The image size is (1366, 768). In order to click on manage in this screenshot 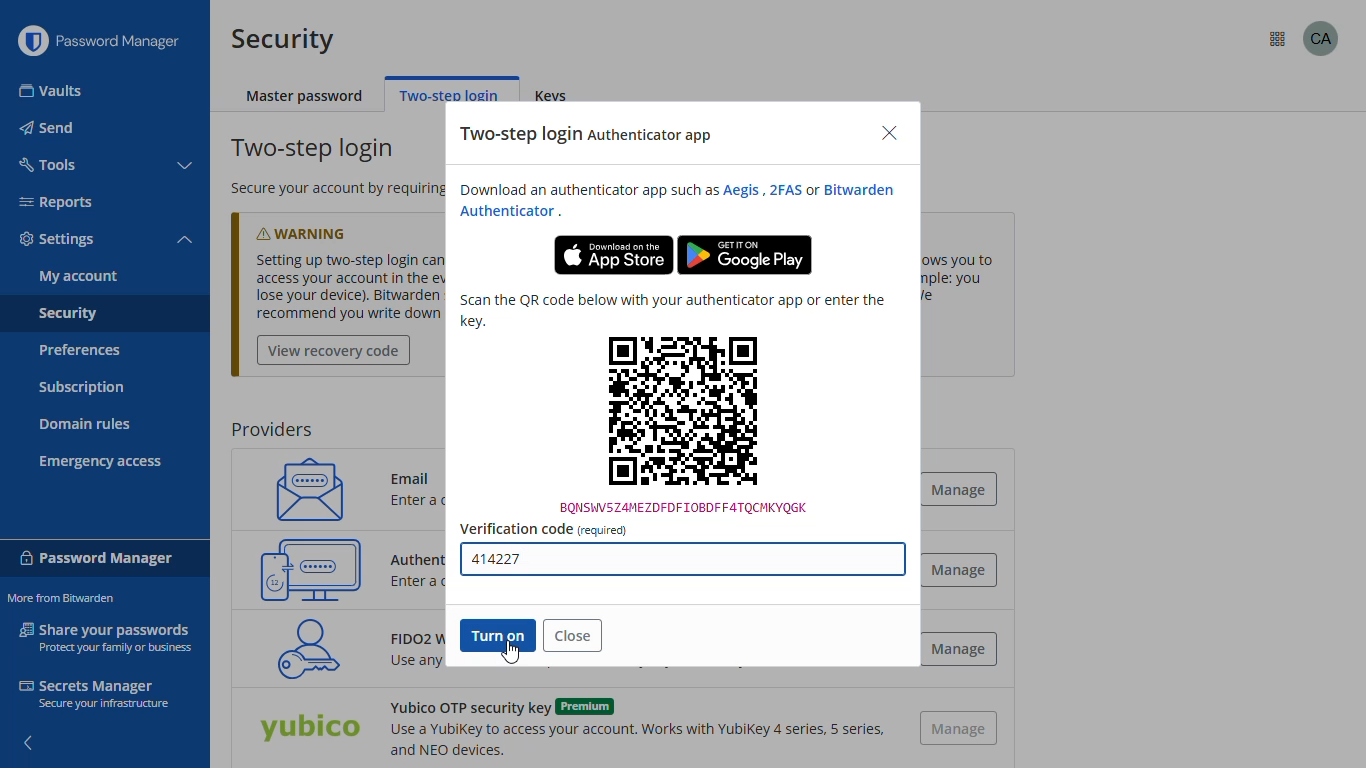, I will do `click(965, 489)`.